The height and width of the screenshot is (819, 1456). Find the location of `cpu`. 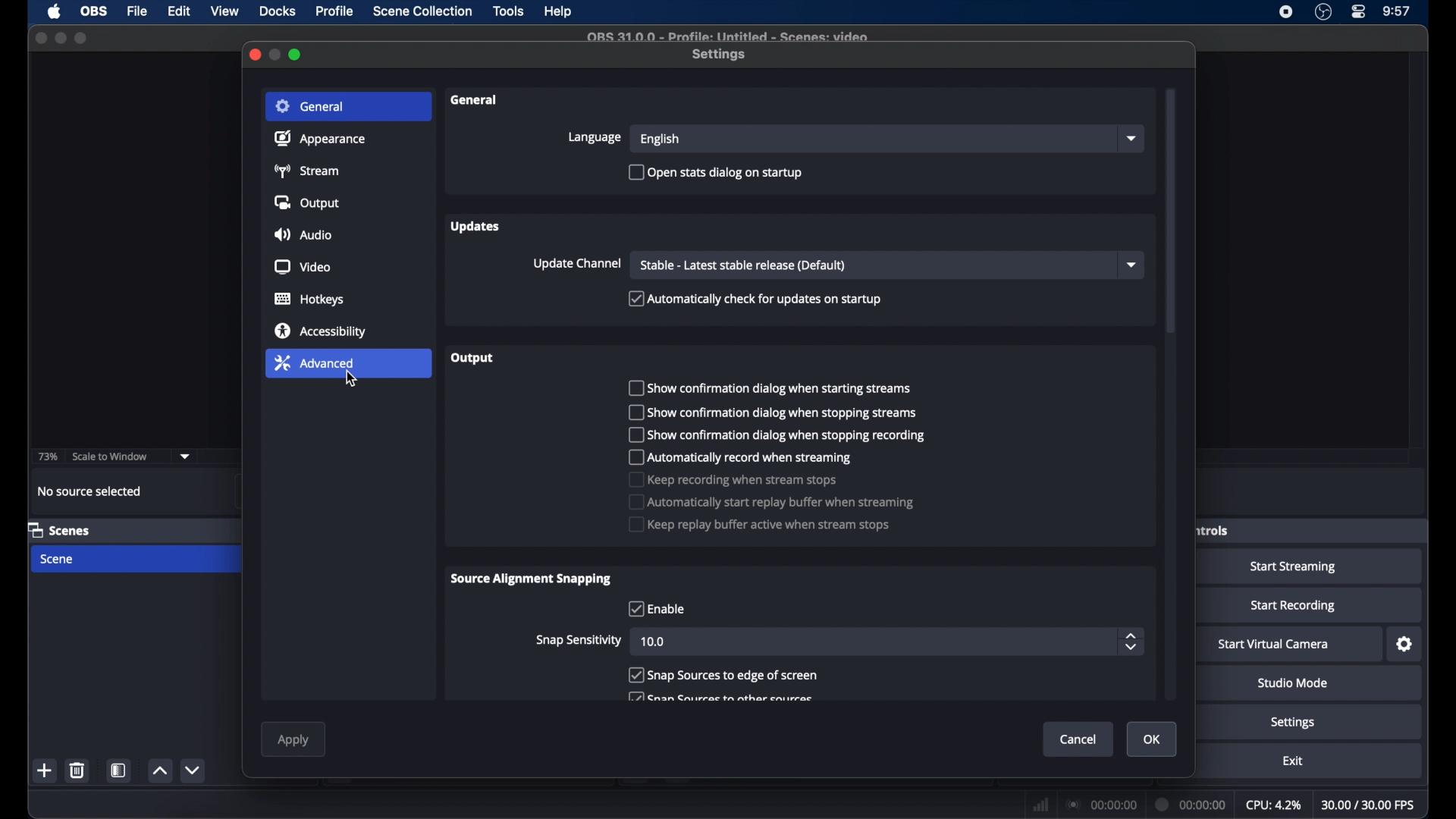

cpu is located at coordinates (1273, 804).